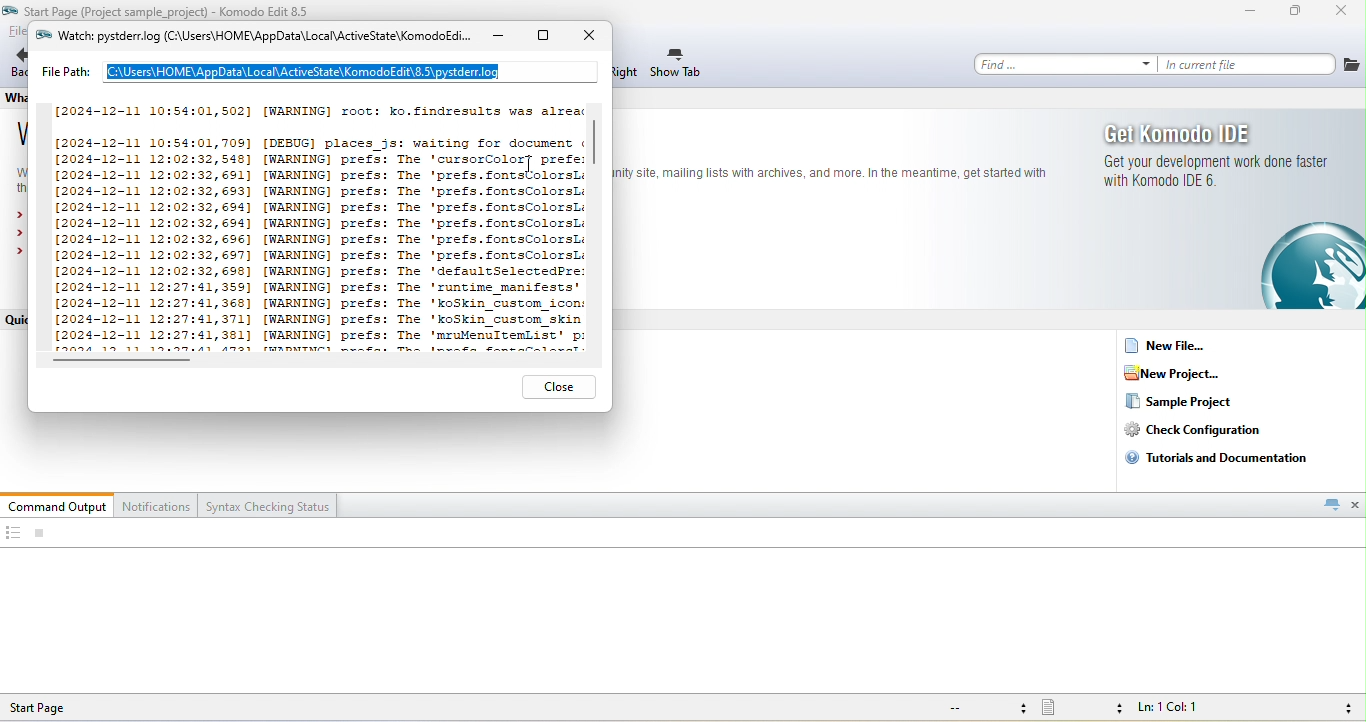  I want to click on in current file, so click(1248, 64).